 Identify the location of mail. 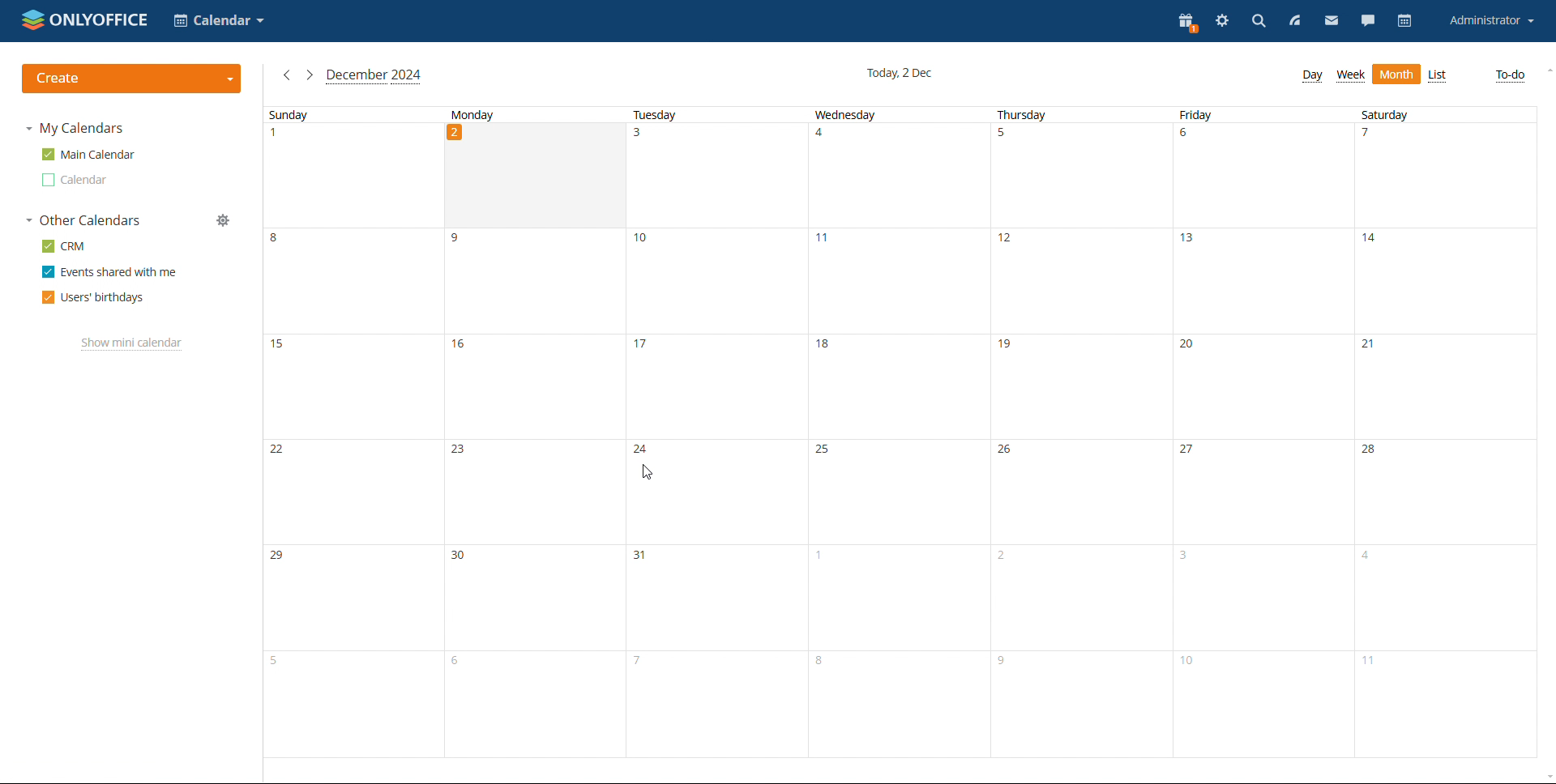
(1332, 20).